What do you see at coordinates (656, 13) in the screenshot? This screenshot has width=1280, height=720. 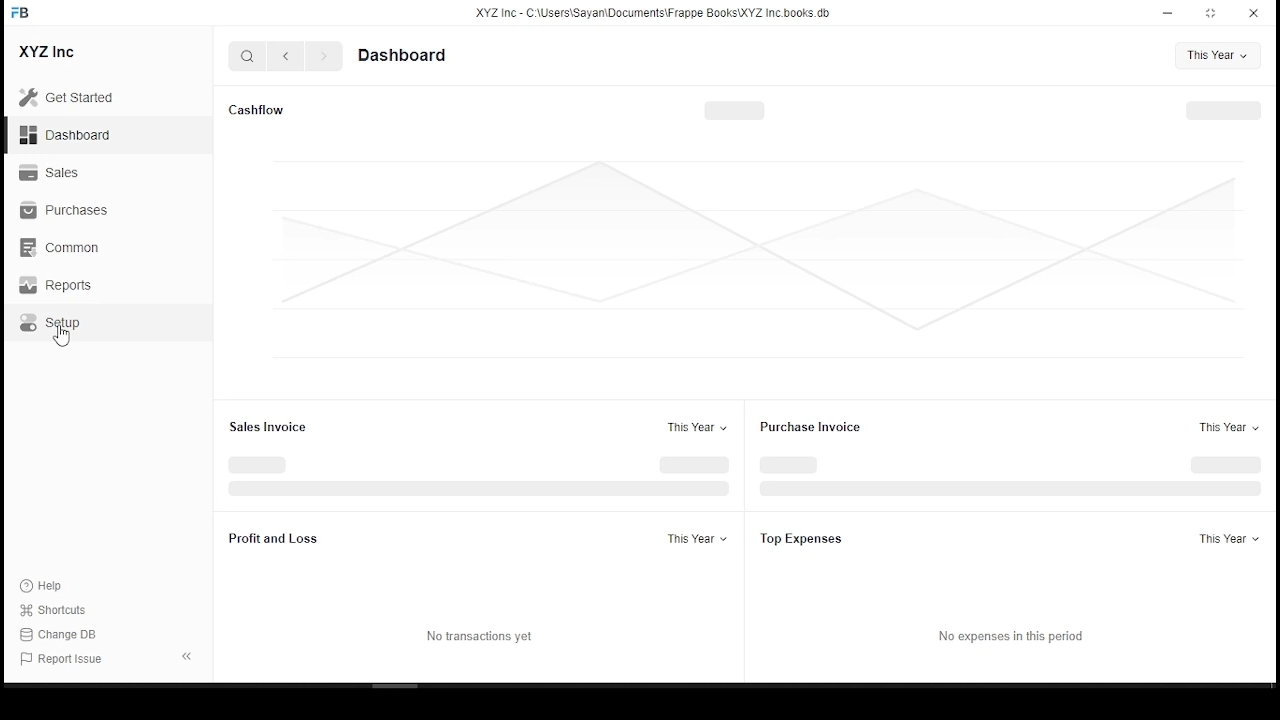 I see `XYZ Inc - C:\users\Sayan\Documents\FrappeBooks\XYZ Incbooks.db` at bounding box center [656, 13].